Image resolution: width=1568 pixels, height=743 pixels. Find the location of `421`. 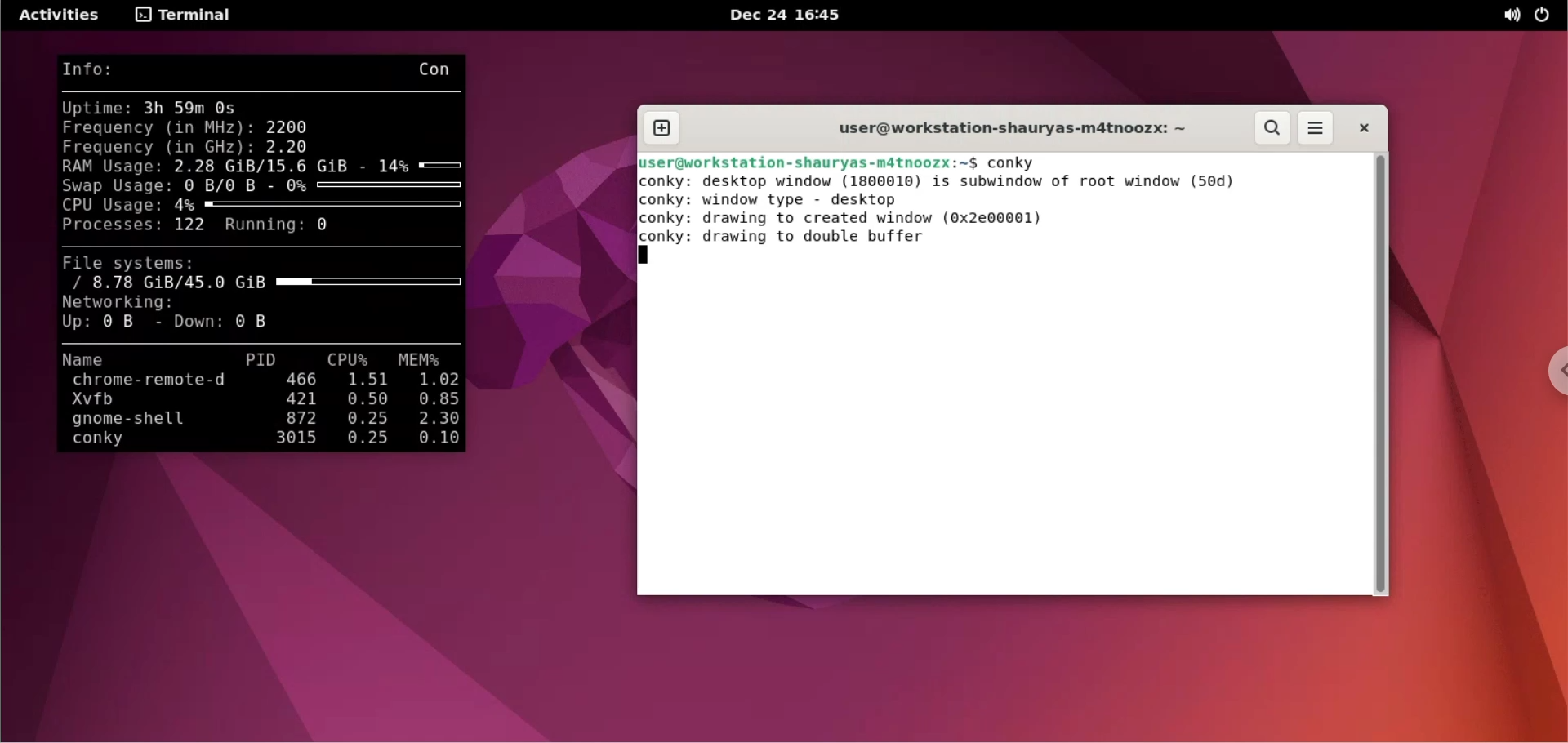

421 is located at coordinates (297, 398).